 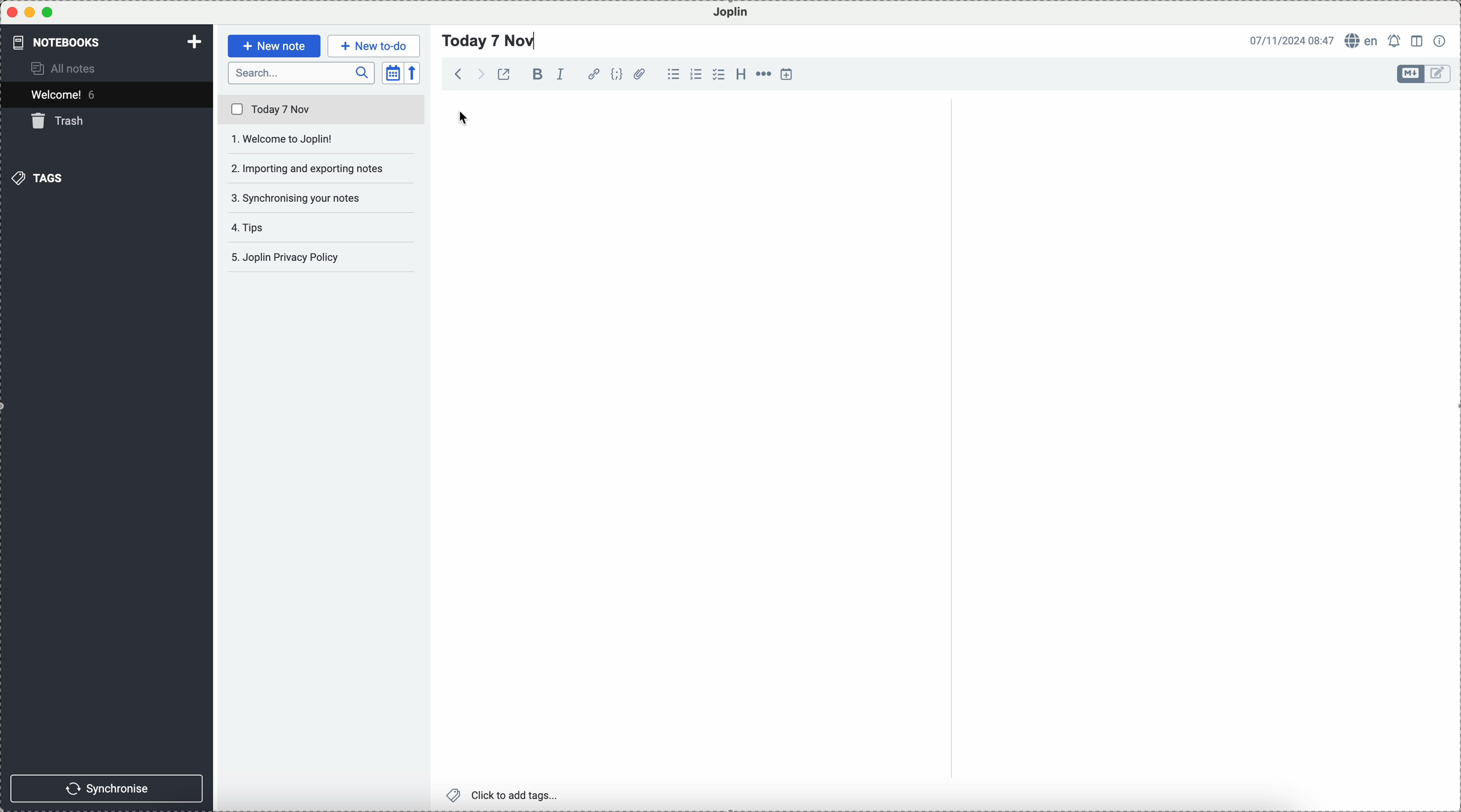 I want to click on search bar, so click(x=302, y=73).